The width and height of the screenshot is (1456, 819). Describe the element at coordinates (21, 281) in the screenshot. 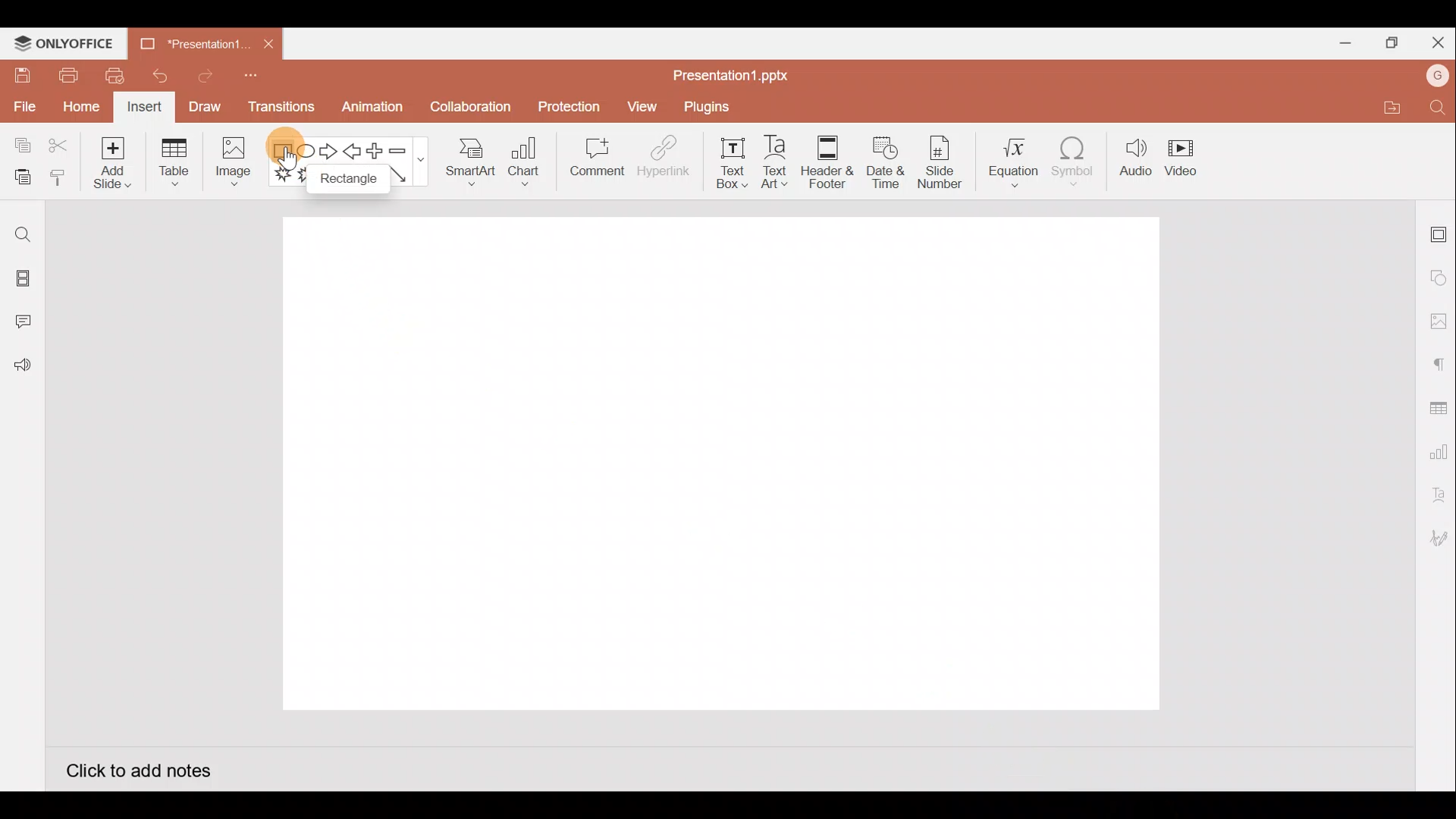

I see `Slides` at that location.